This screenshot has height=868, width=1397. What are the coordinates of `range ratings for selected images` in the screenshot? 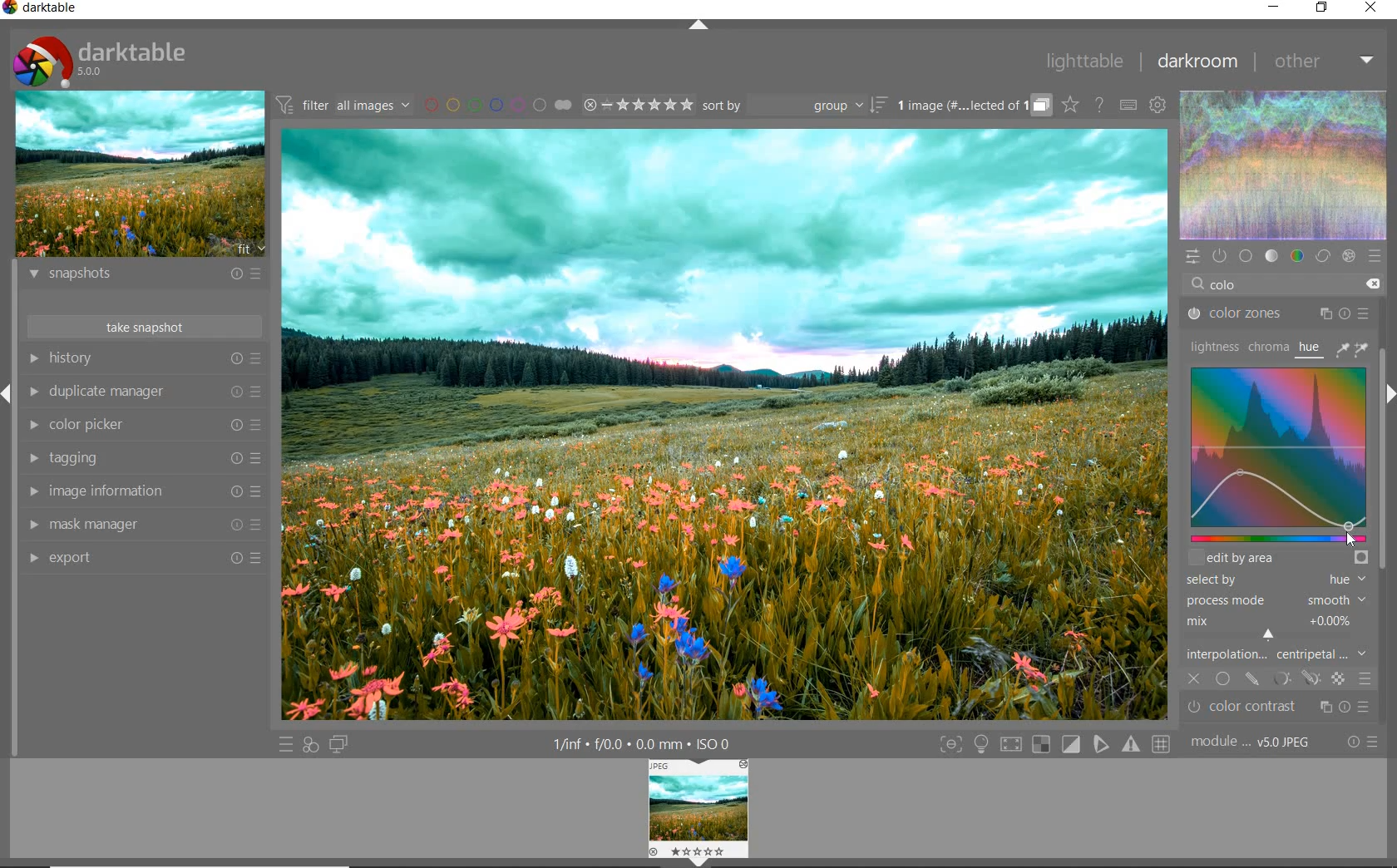 It's located at (639, 105).